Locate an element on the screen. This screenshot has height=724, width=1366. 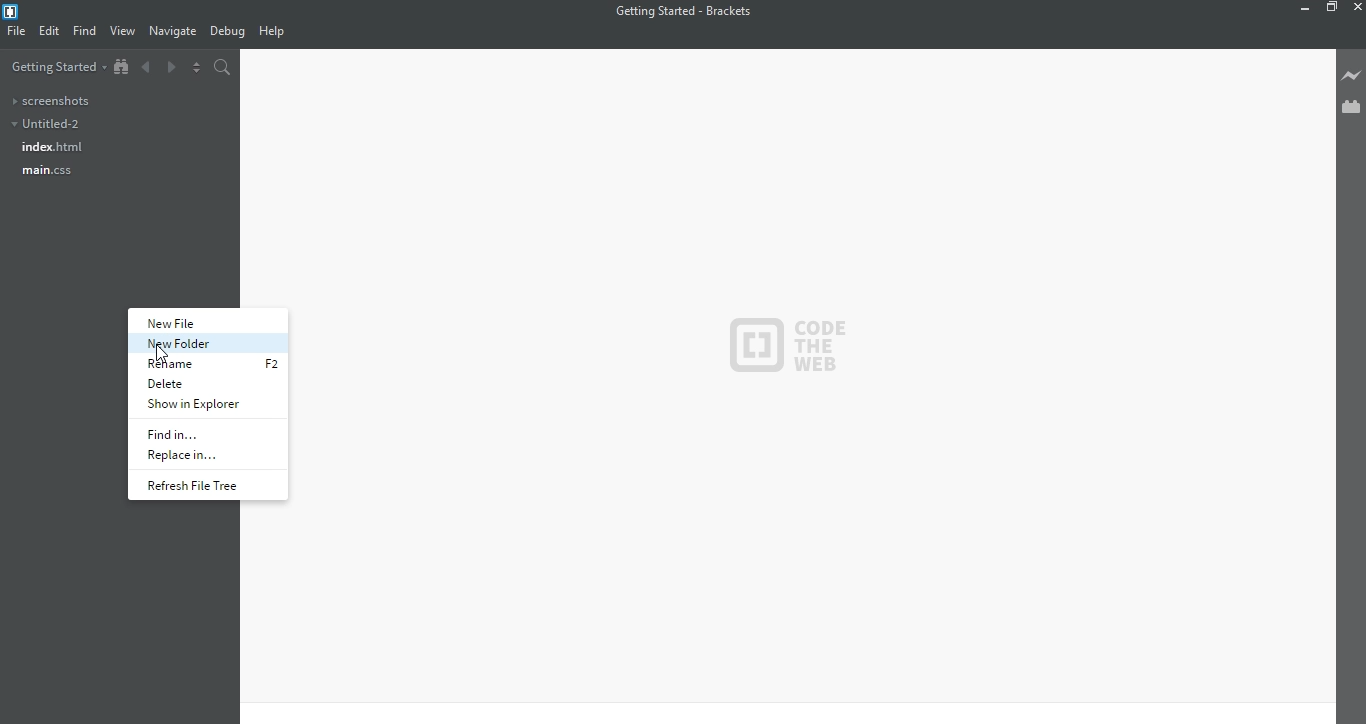
main.css is located at coordinates (47, 170).